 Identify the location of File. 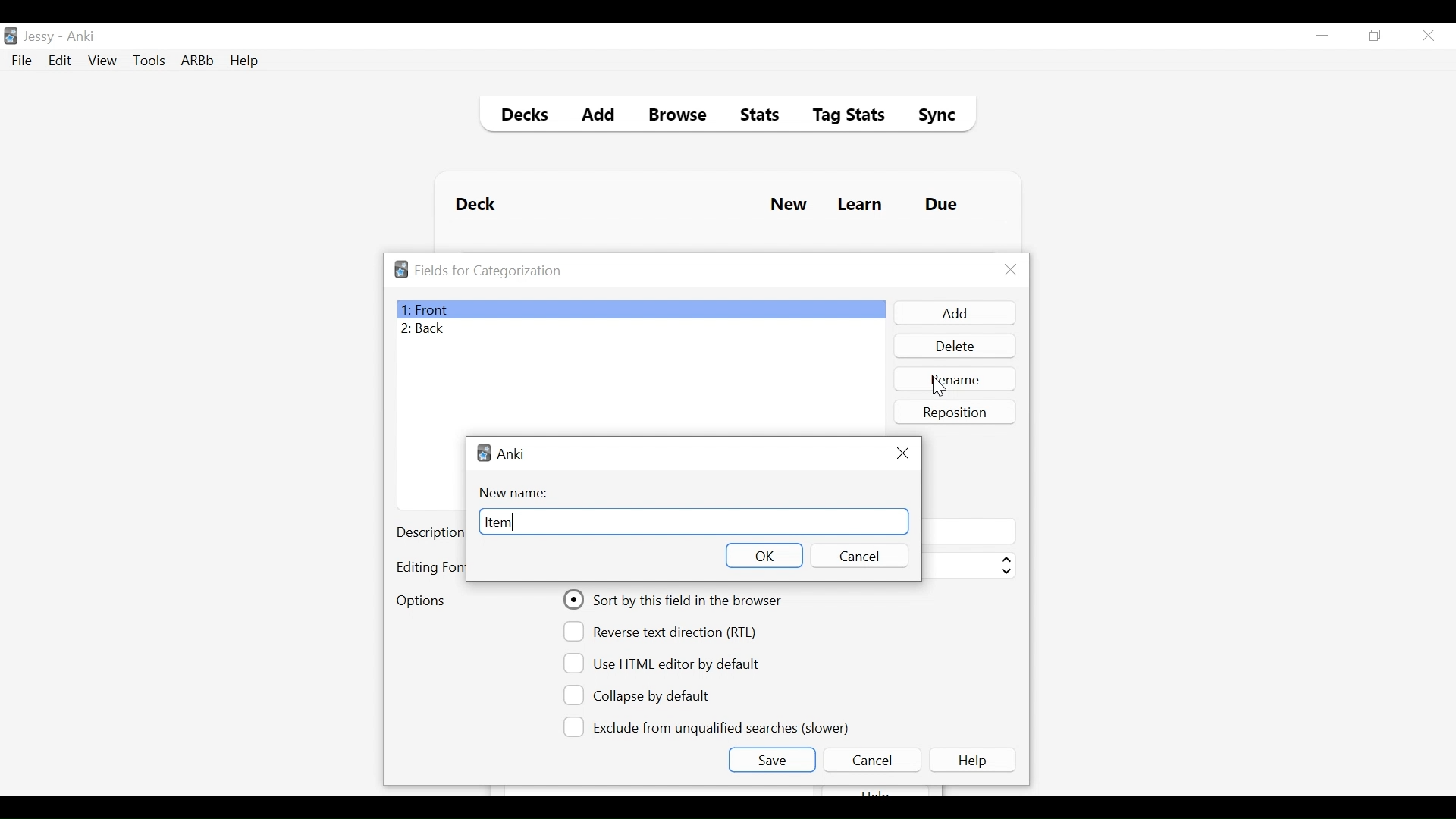
(22, 62).